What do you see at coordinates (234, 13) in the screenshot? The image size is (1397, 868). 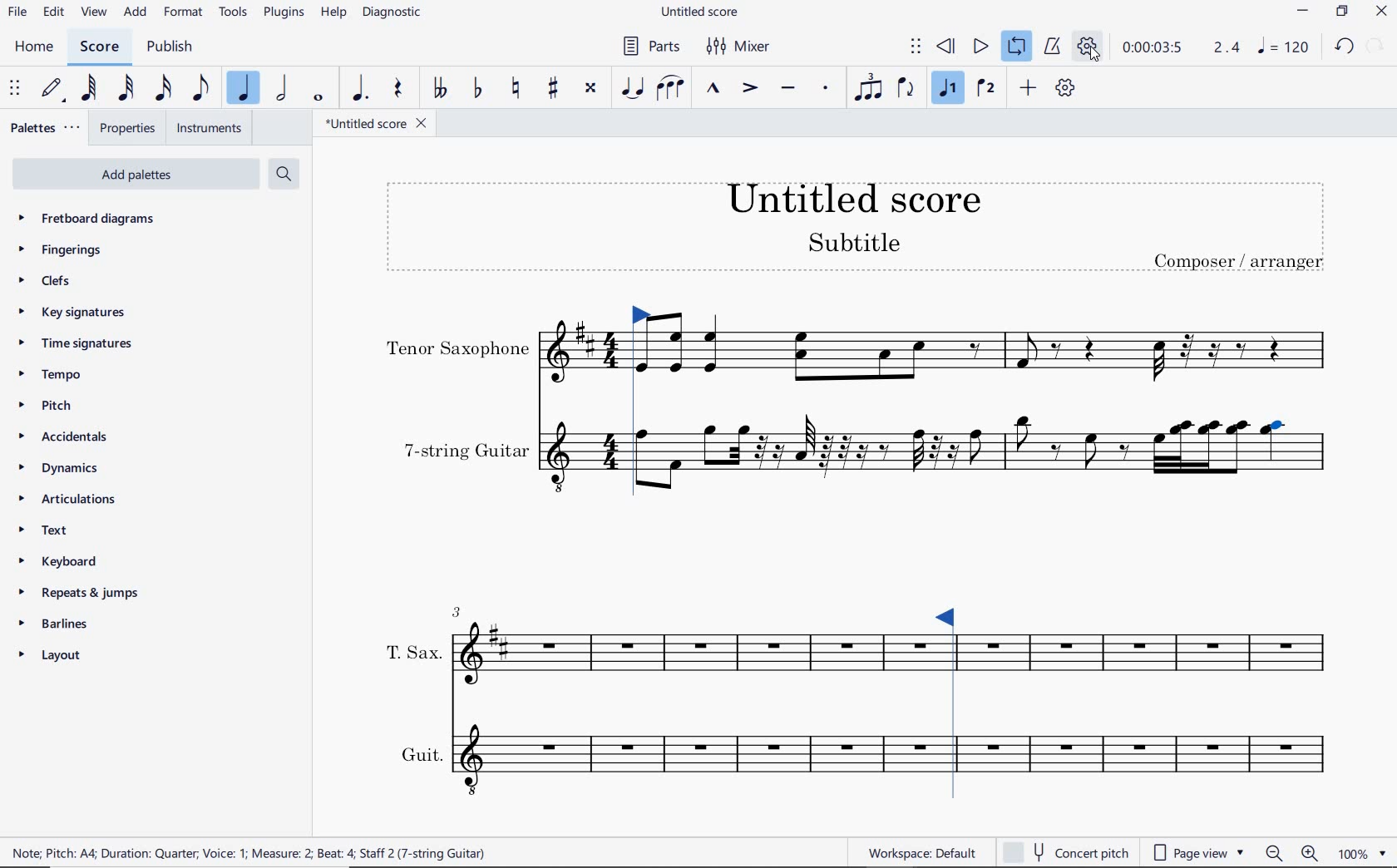 I see `TOOLS` at bounding box center [234, 13].